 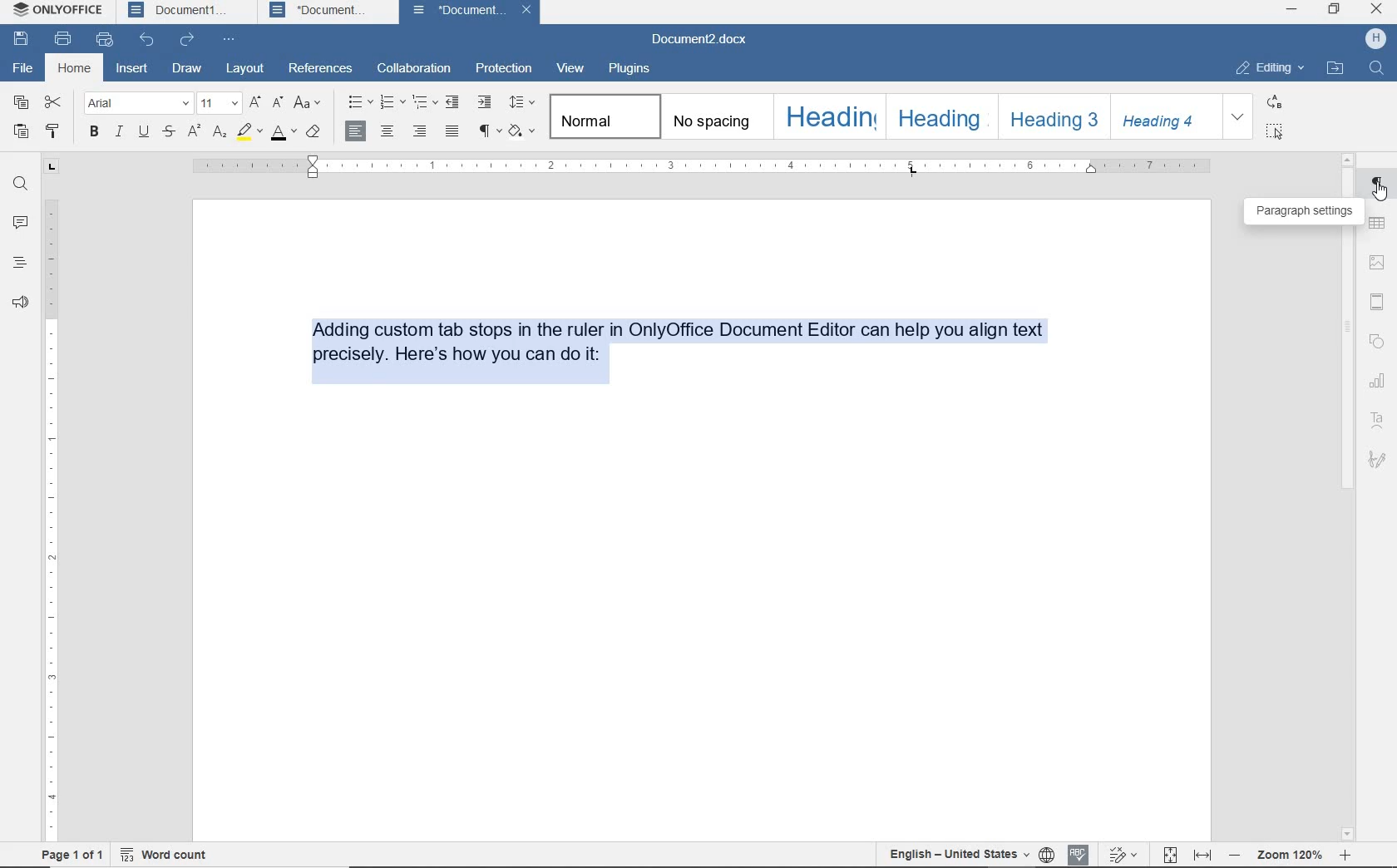 What do you see at coordinates (138, 103) in the screenshot?
I see `font` at bounding box center [138, 103].